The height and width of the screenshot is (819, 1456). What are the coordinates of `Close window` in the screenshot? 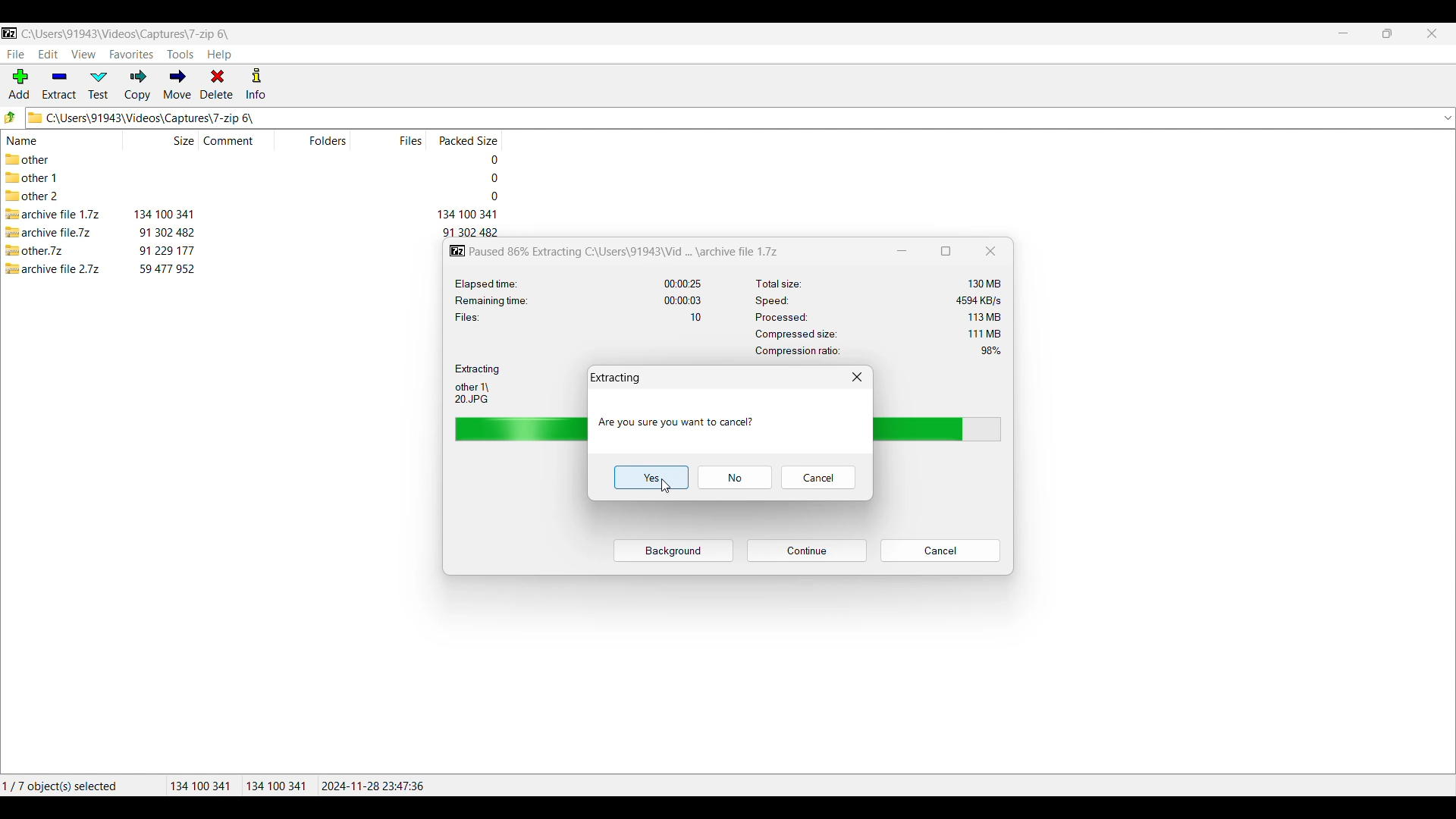 It's located at (990, 251).